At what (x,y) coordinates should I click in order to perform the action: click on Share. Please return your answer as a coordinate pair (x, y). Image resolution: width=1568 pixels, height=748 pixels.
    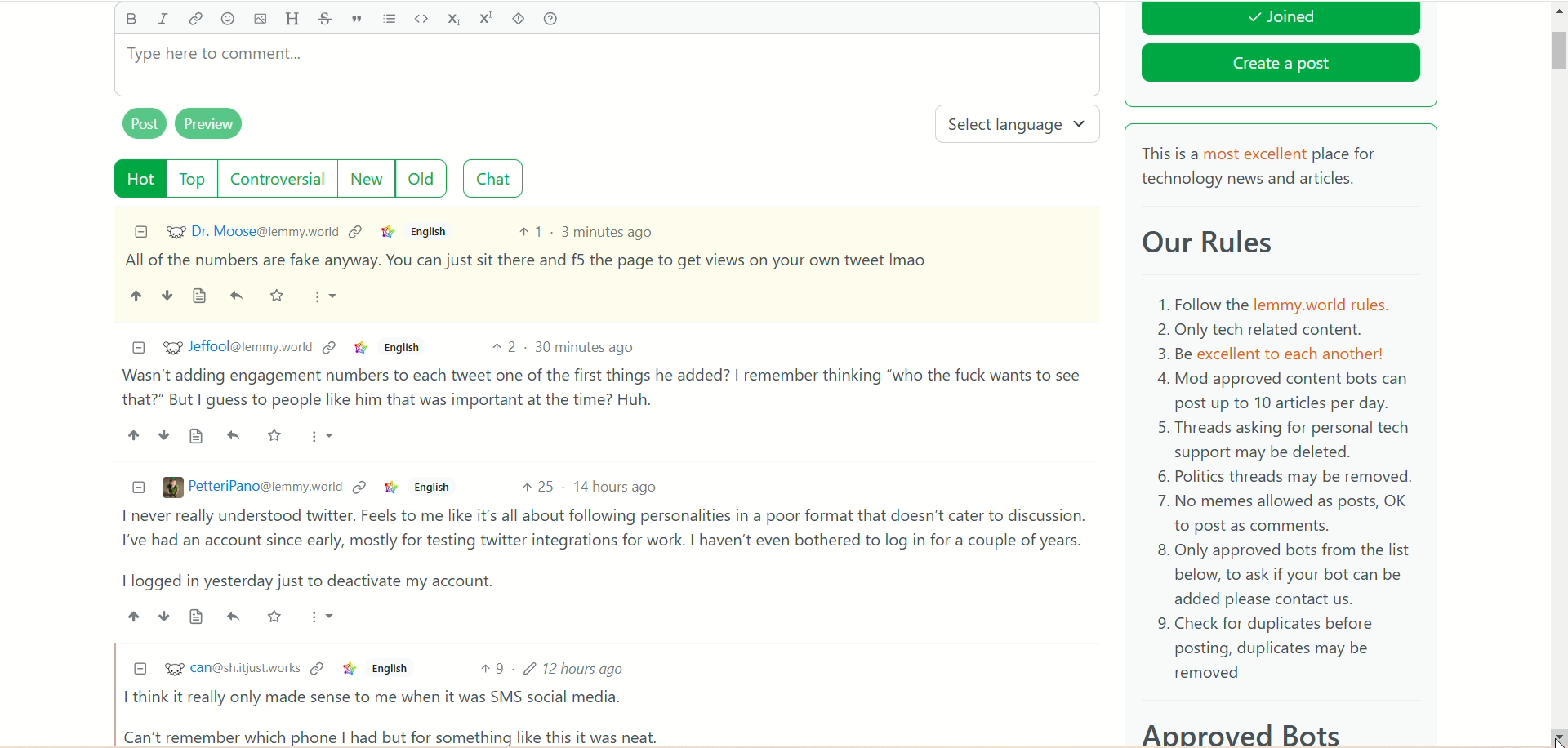
    Looking at the image, I should click on (234, 435).